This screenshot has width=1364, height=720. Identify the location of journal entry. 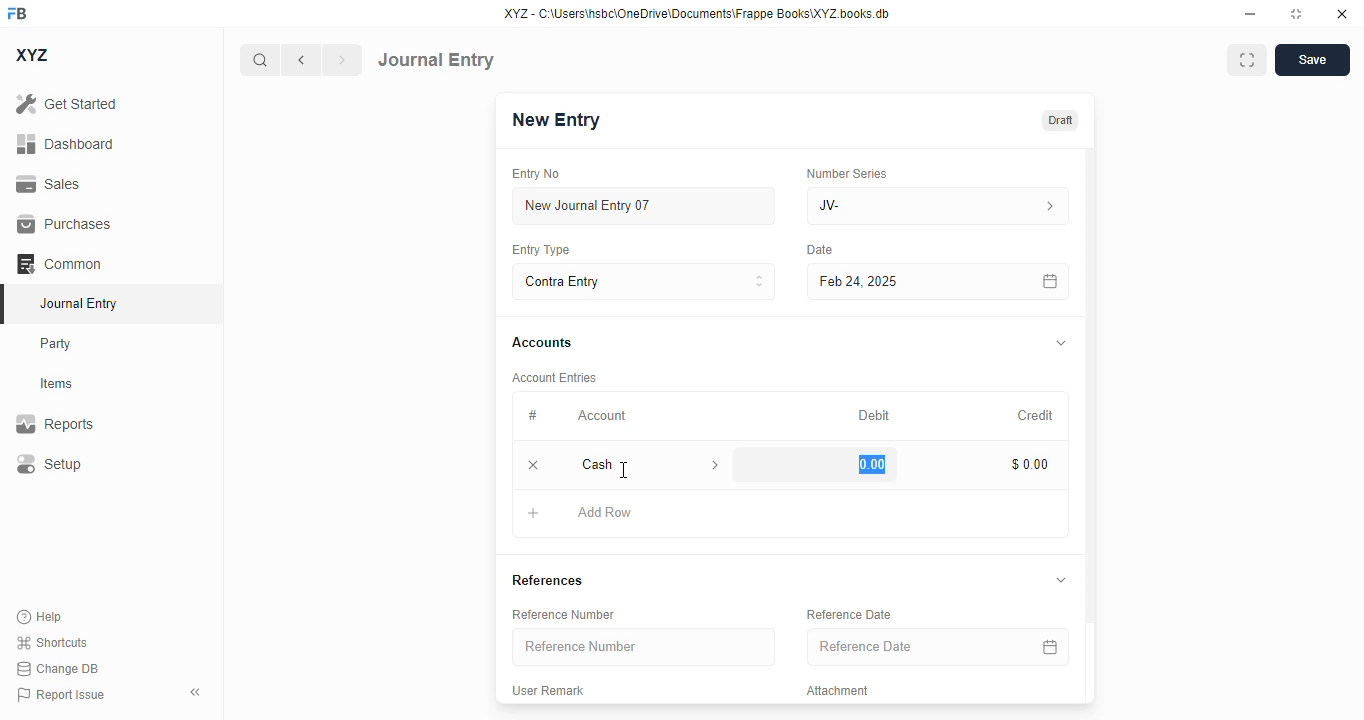
(80, 303).